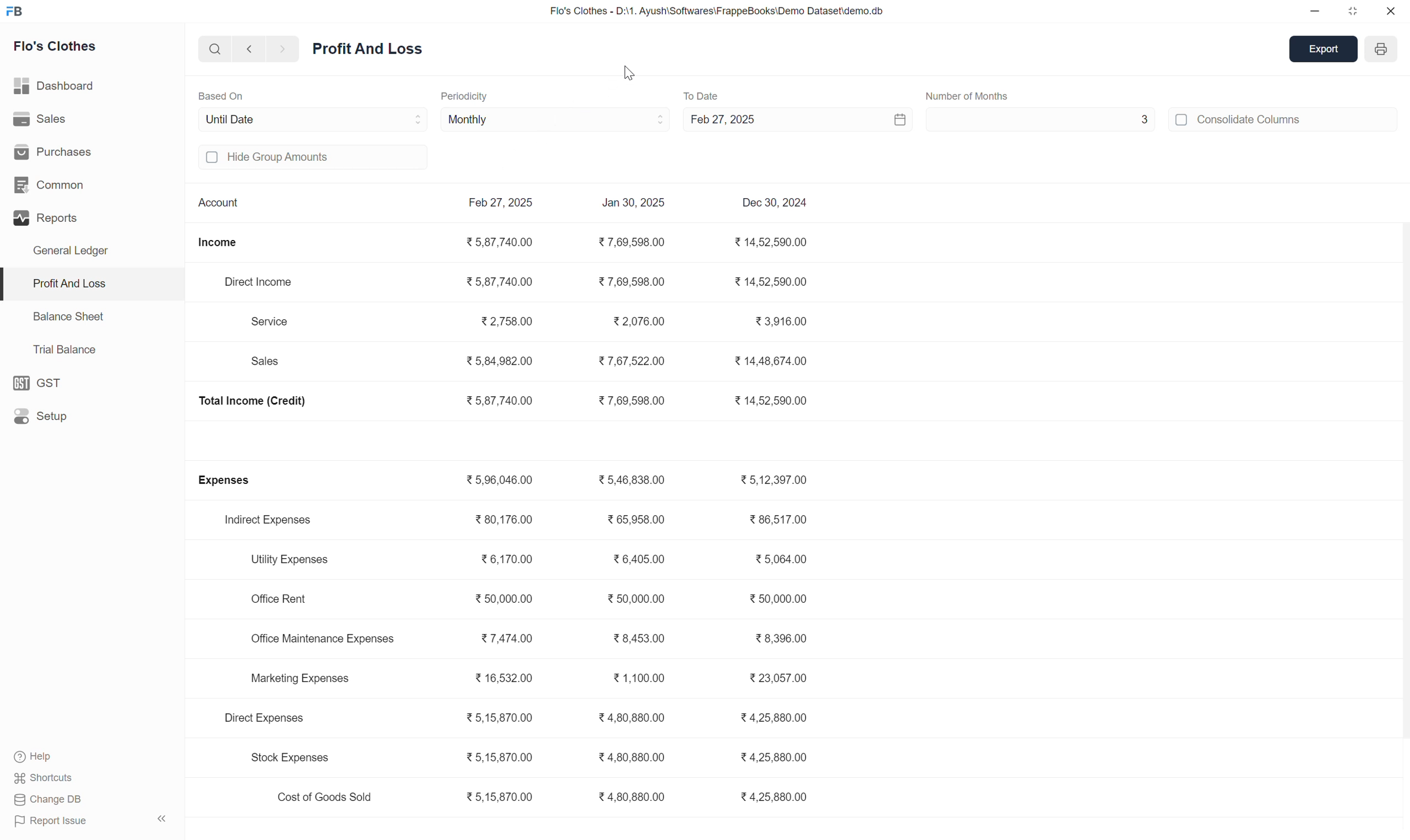 This screenshot has width=1410, height=840. What do you see at coordinates (236, 483) in the screenshot?
I see `Expenses` at bounding box center [236, 483].